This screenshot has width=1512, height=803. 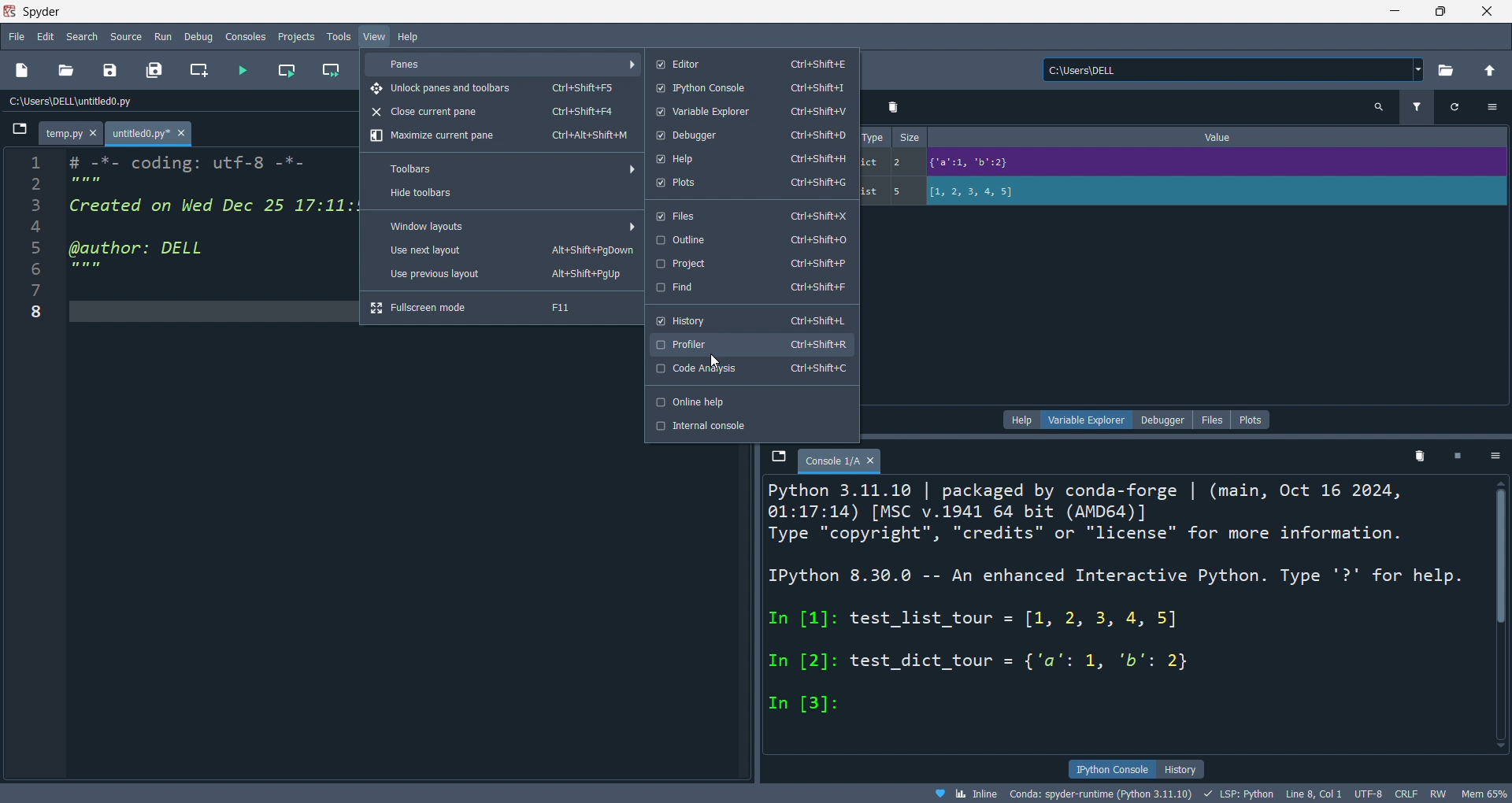 I want to click on run cell andmove, so click(x=335, y=69).